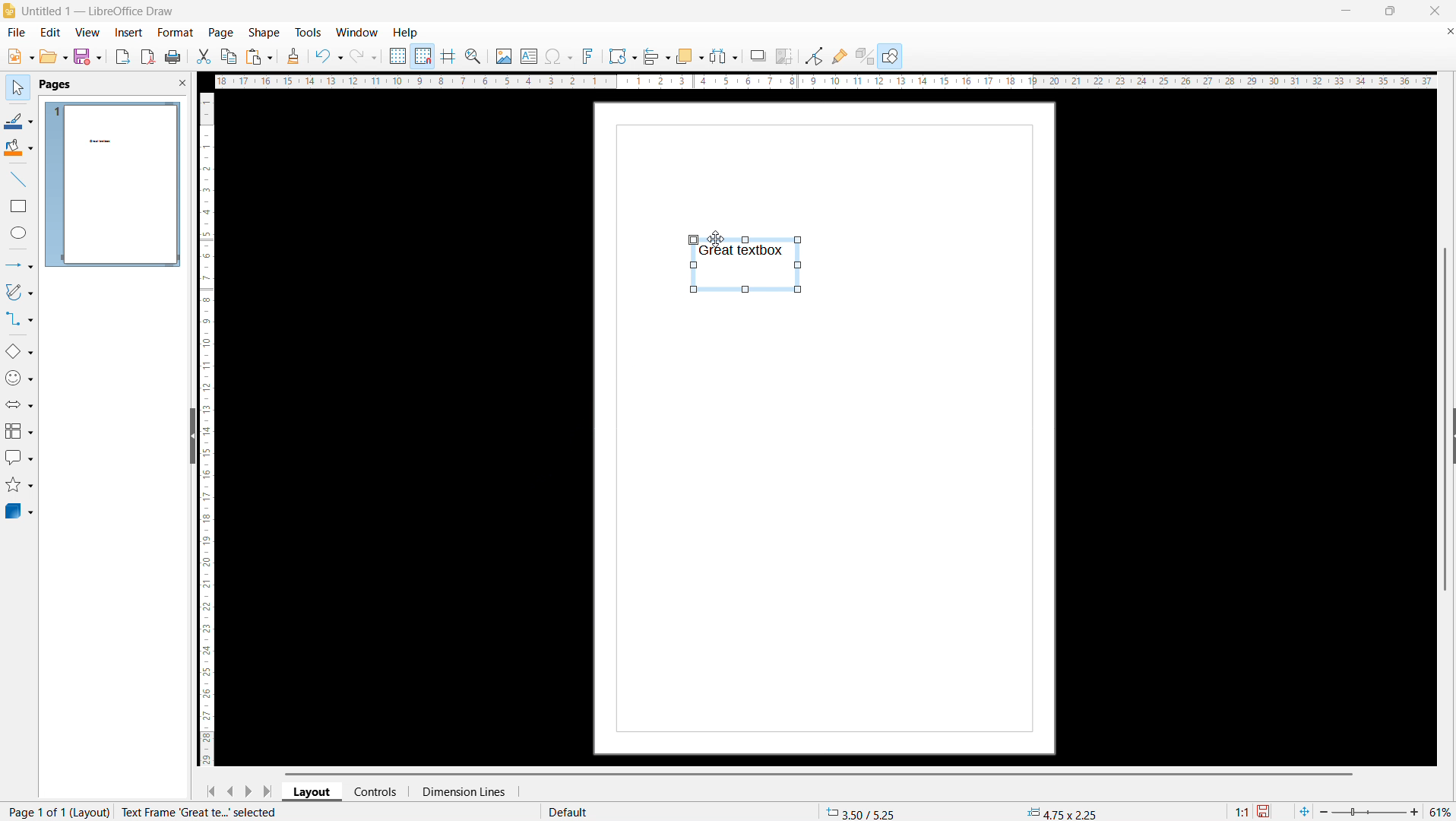 The width and height of the screenshot is (1456, 821). I want to click on line color, so click(19, 119).